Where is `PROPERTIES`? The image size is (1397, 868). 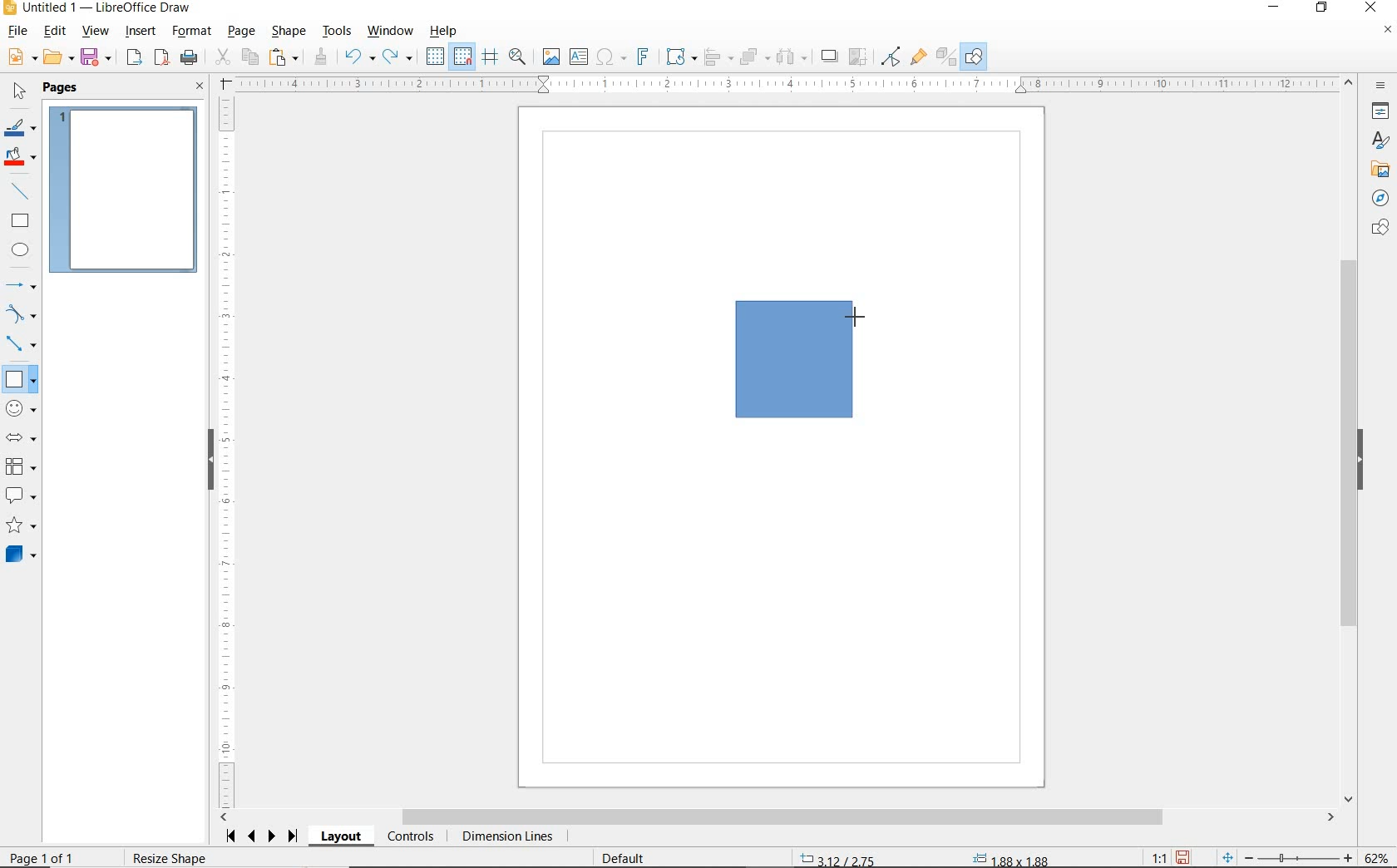
PROPERTIES is located at coordinates (1378, 113).